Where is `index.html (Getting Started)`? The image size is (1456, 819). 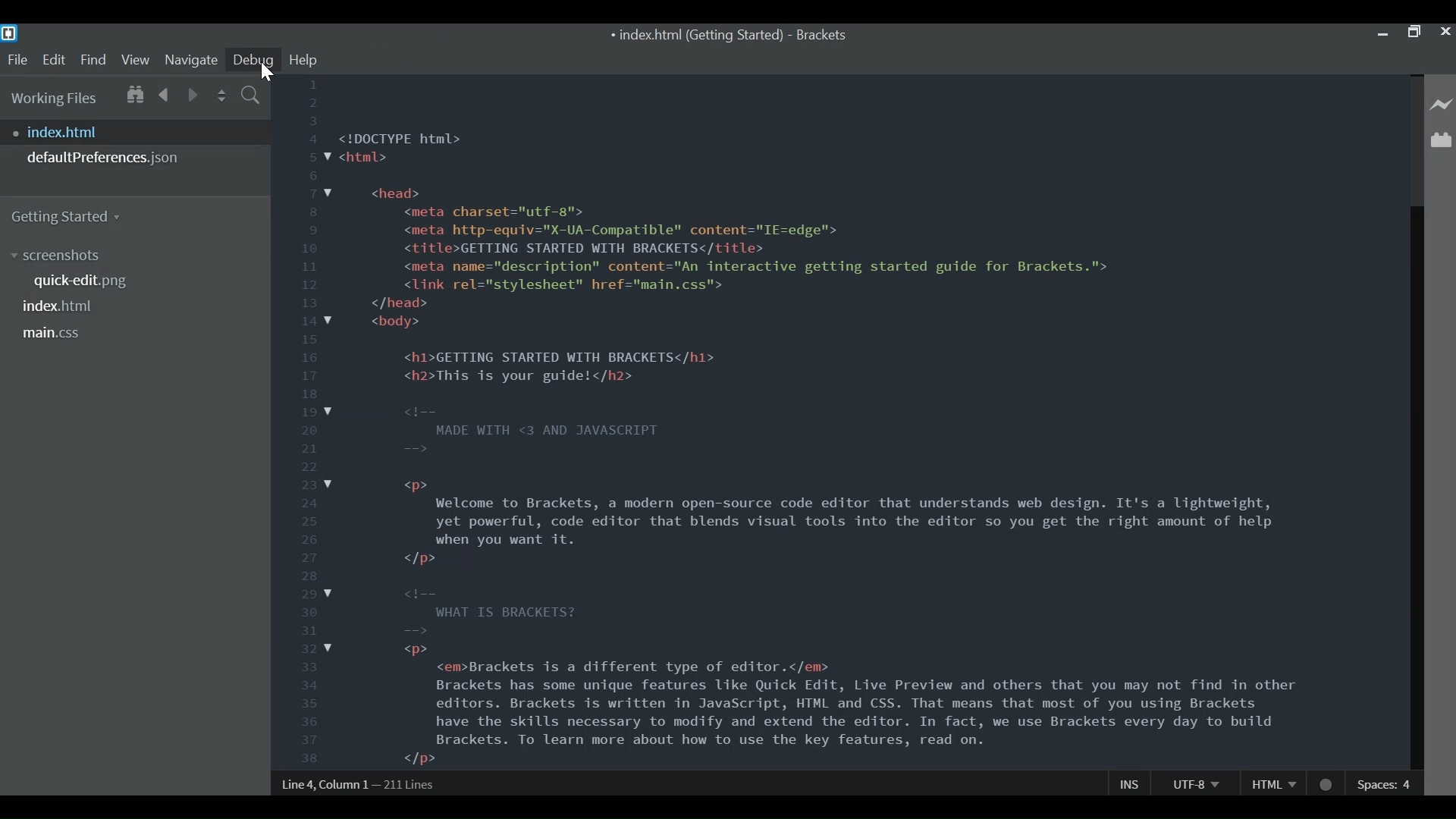
index.html (Getting Started) is located at coordinates (695, 36).